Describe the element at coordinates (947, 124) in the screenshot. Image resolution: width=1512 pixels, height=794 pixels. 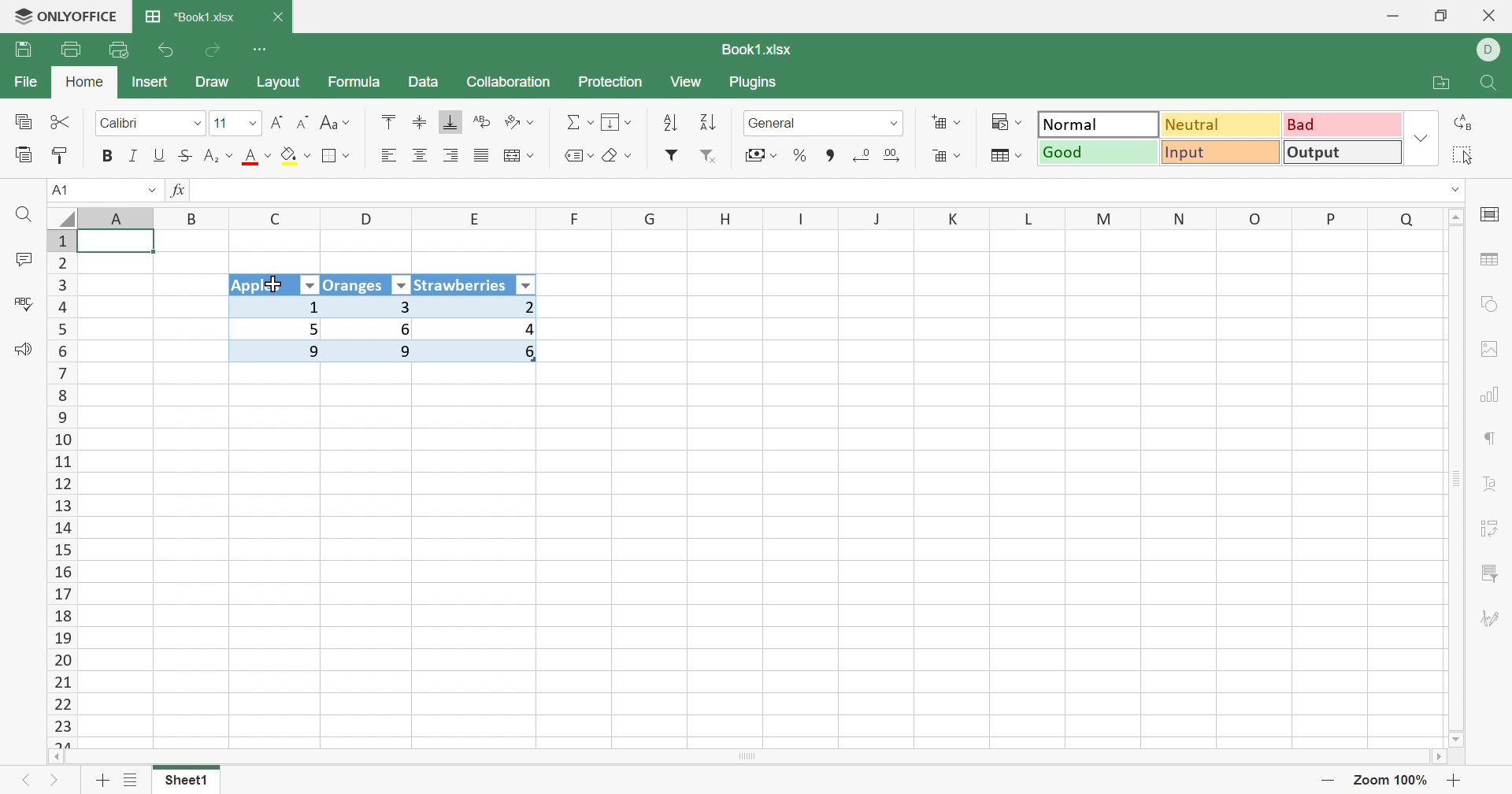
I see `Insert cells` at that location.